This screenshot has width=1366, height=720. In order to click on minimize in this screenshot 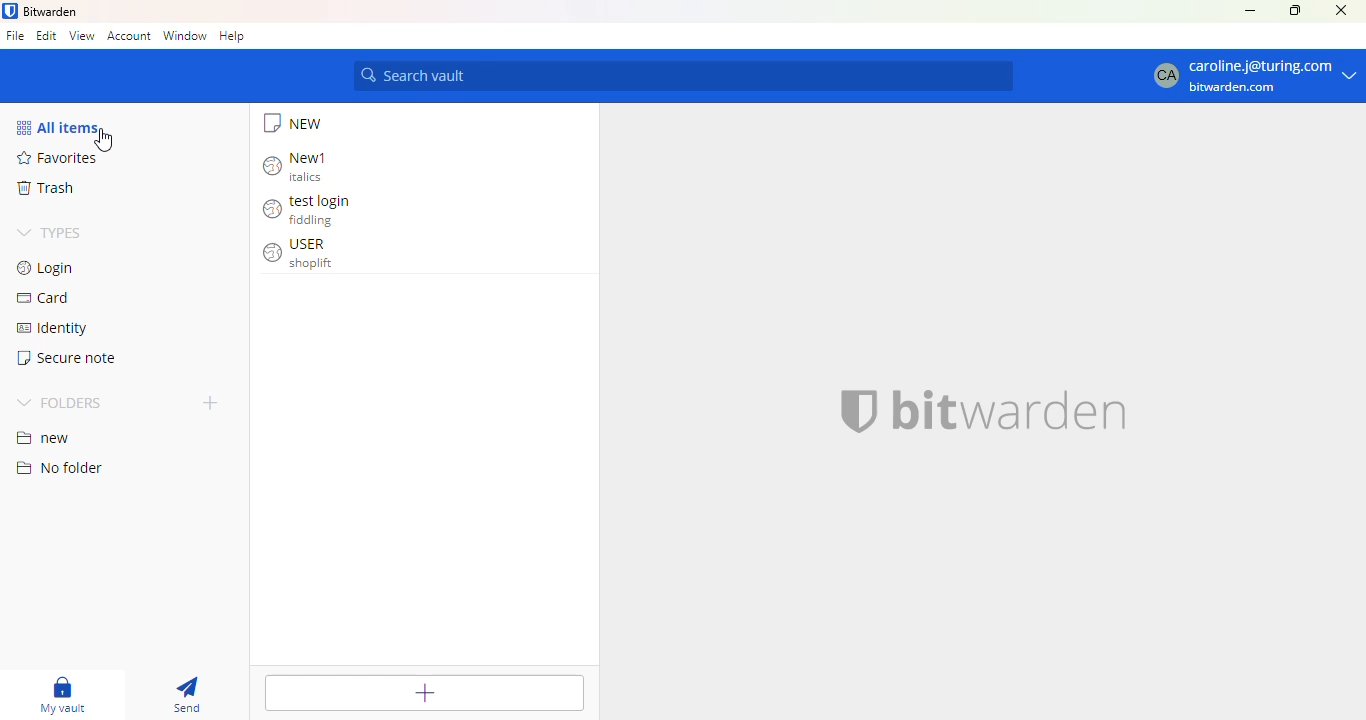, I will do `click(1250, 11)`.